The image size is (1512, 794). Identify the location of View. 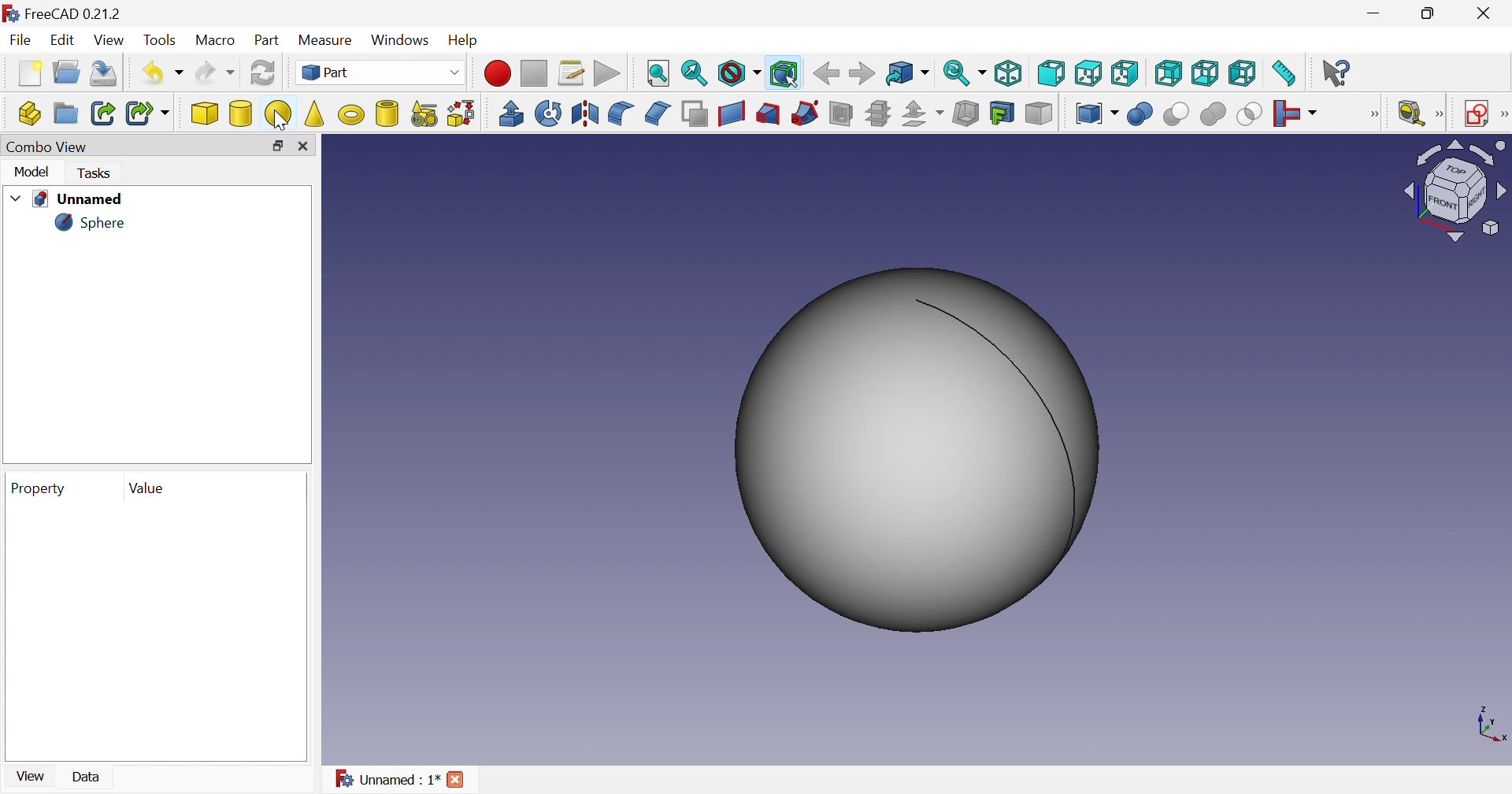
(108, 39).